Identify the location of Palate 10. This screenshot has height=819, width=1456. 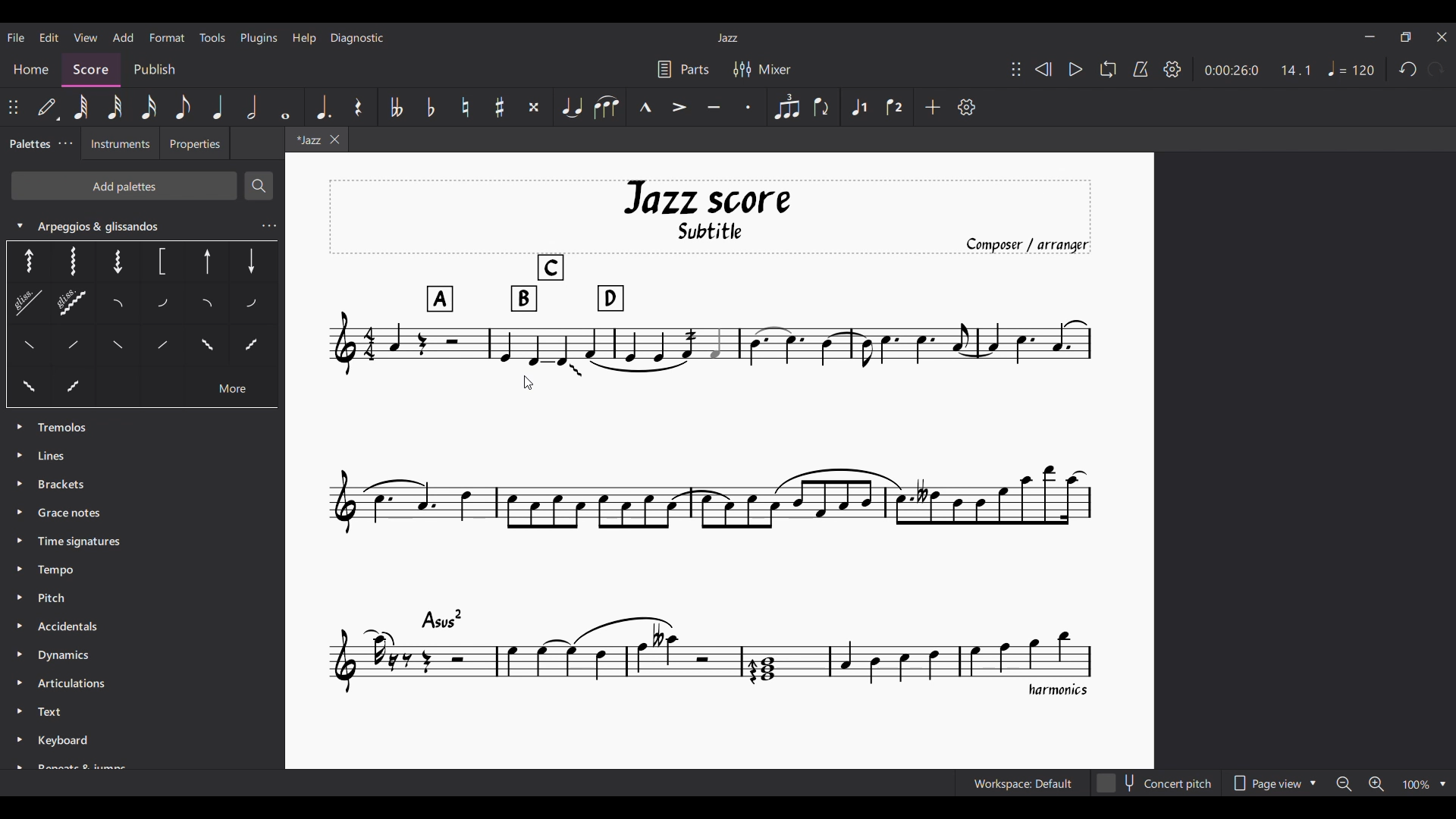
(165, 305).